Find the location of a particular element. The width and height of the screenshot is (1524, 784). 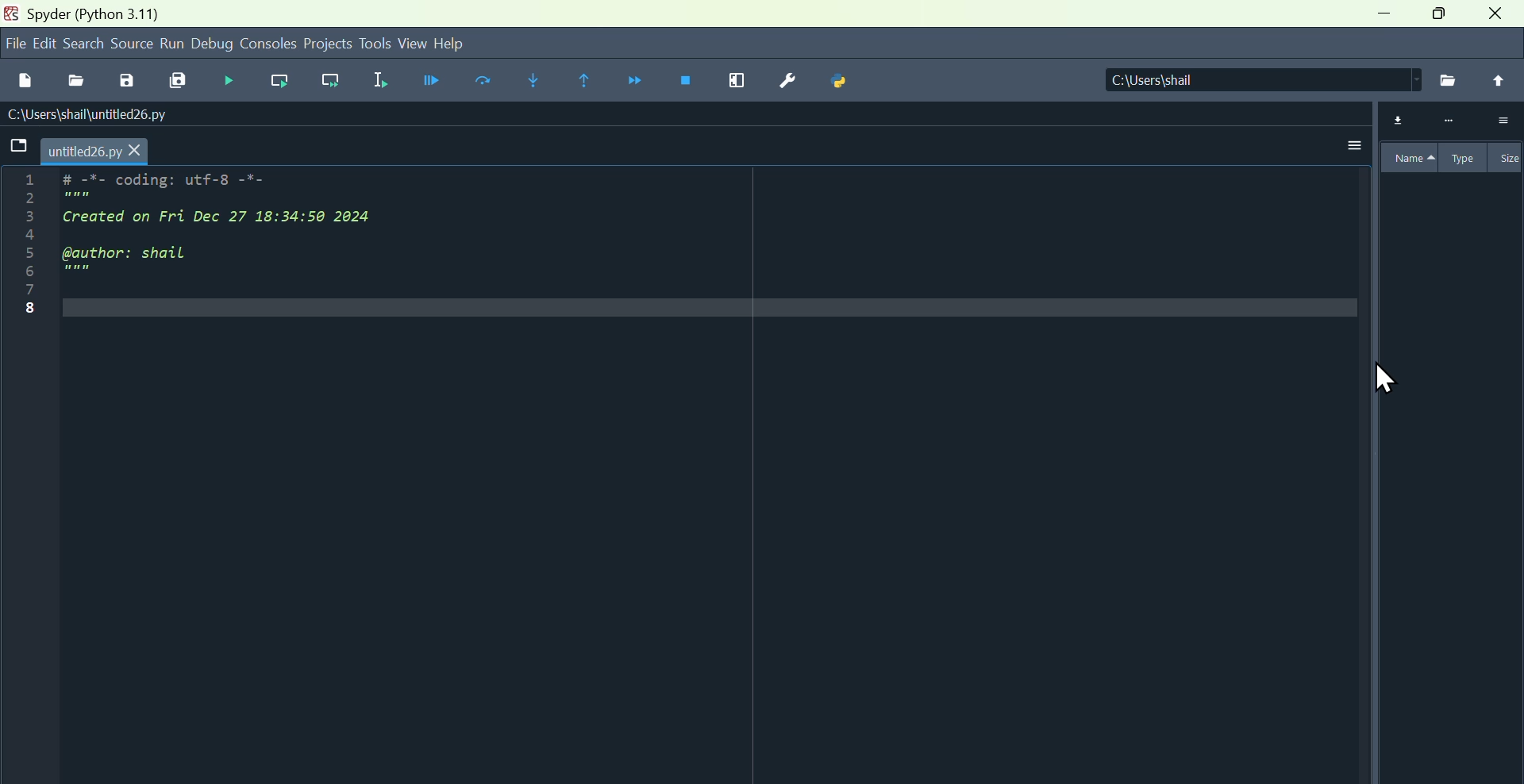

search is located at coordinates (85, 42).